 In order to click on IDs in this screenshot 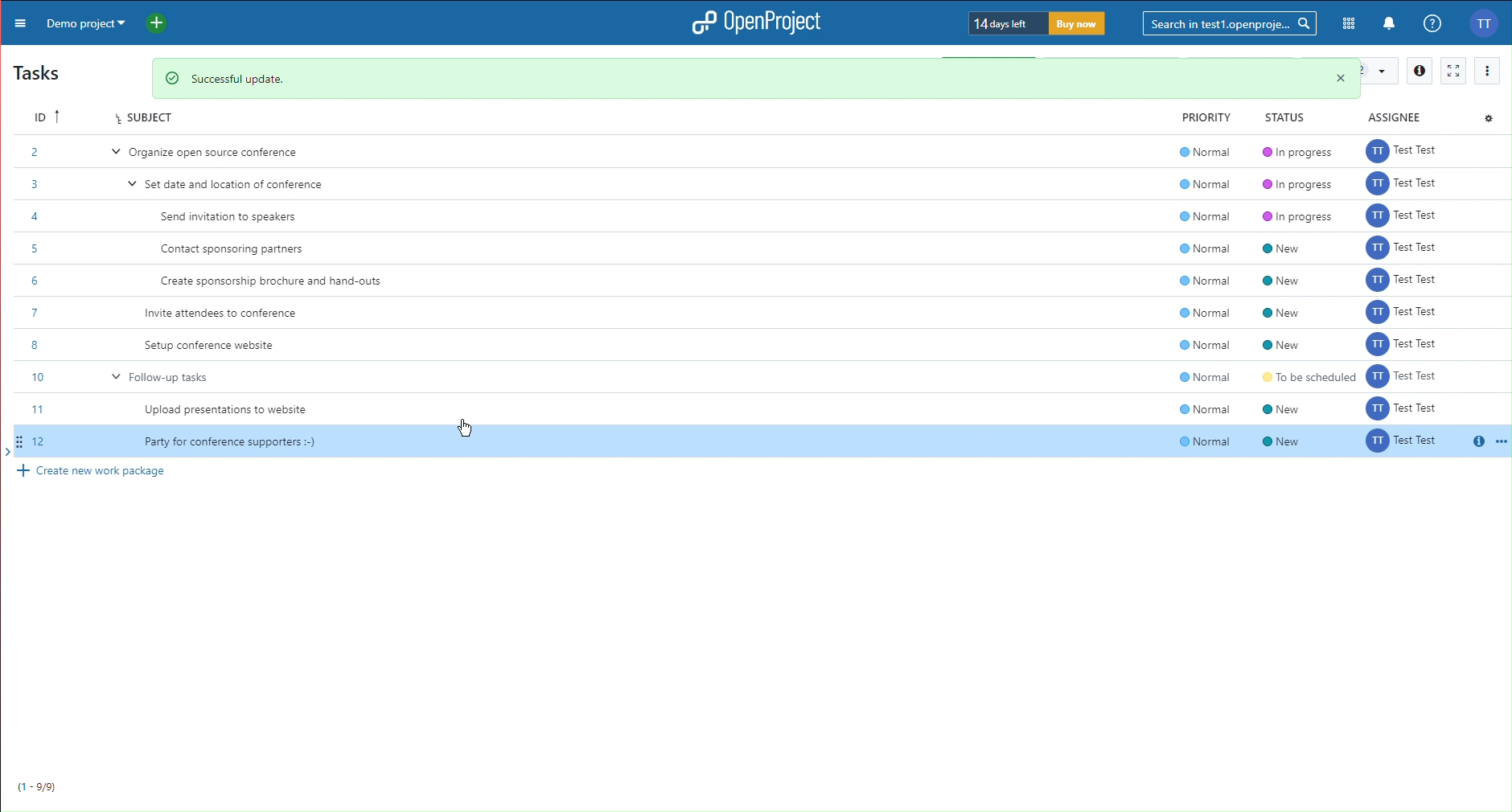, I will do `click(32, 295)`.